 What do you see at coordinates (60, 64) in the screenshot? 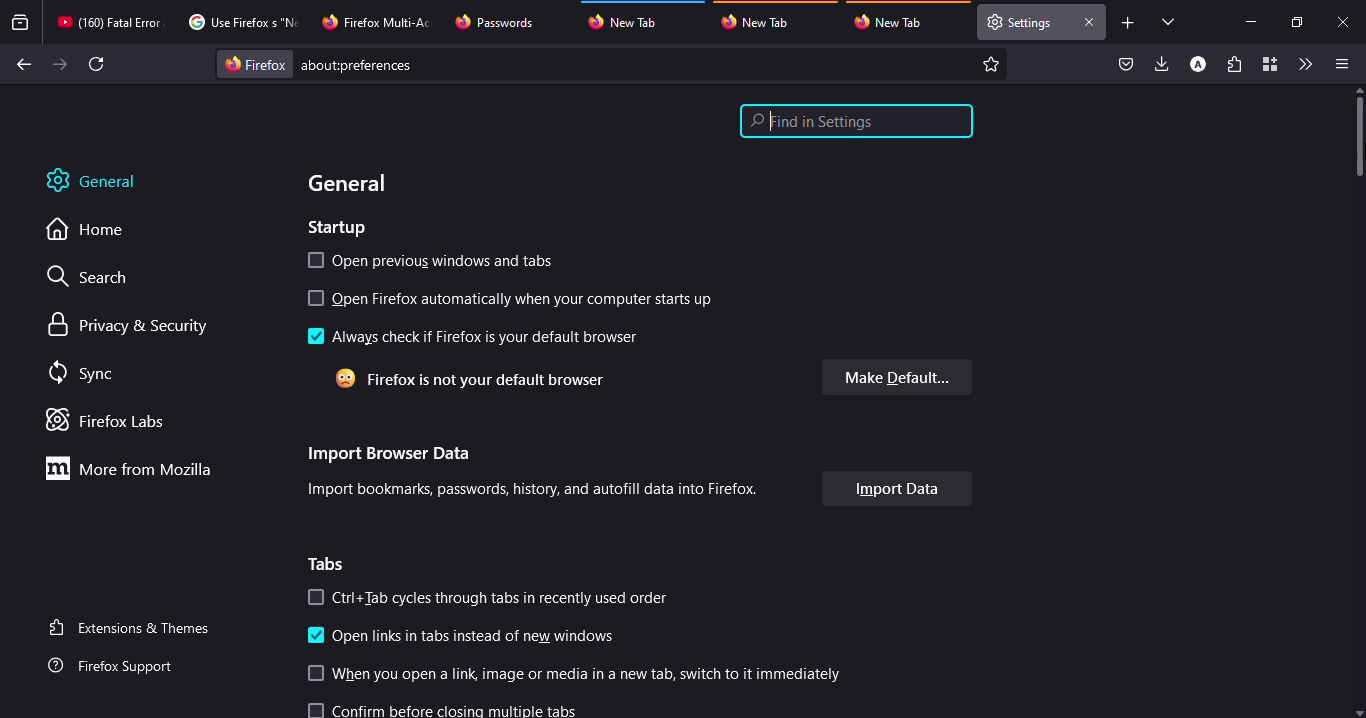
I see `forward` at bounding box center [60, 64].